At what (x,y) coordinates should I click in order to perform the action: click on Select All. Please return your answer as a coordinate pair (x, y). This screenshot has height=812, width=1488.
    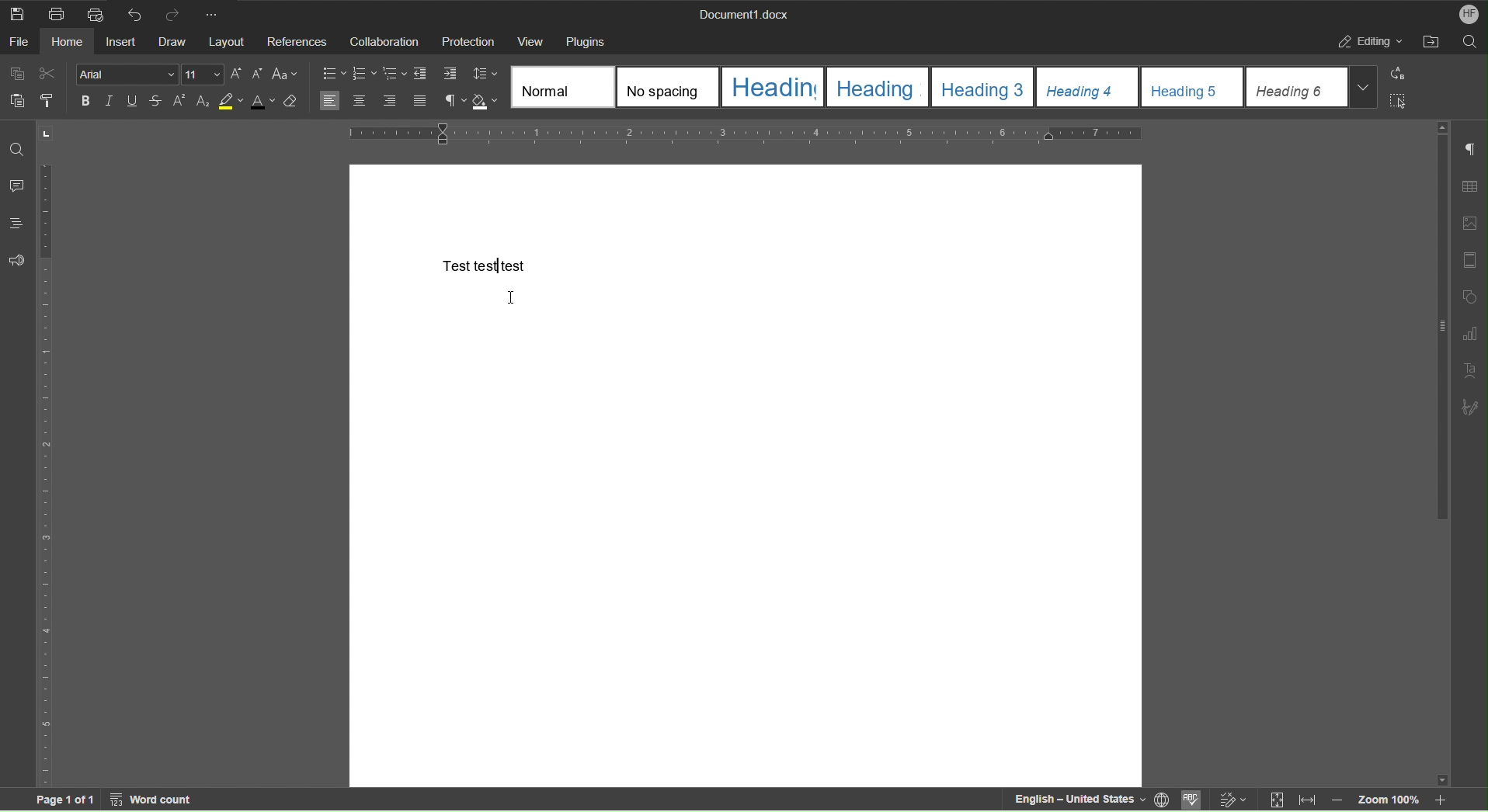
    Looking at the image, I should click on (1397, 99).